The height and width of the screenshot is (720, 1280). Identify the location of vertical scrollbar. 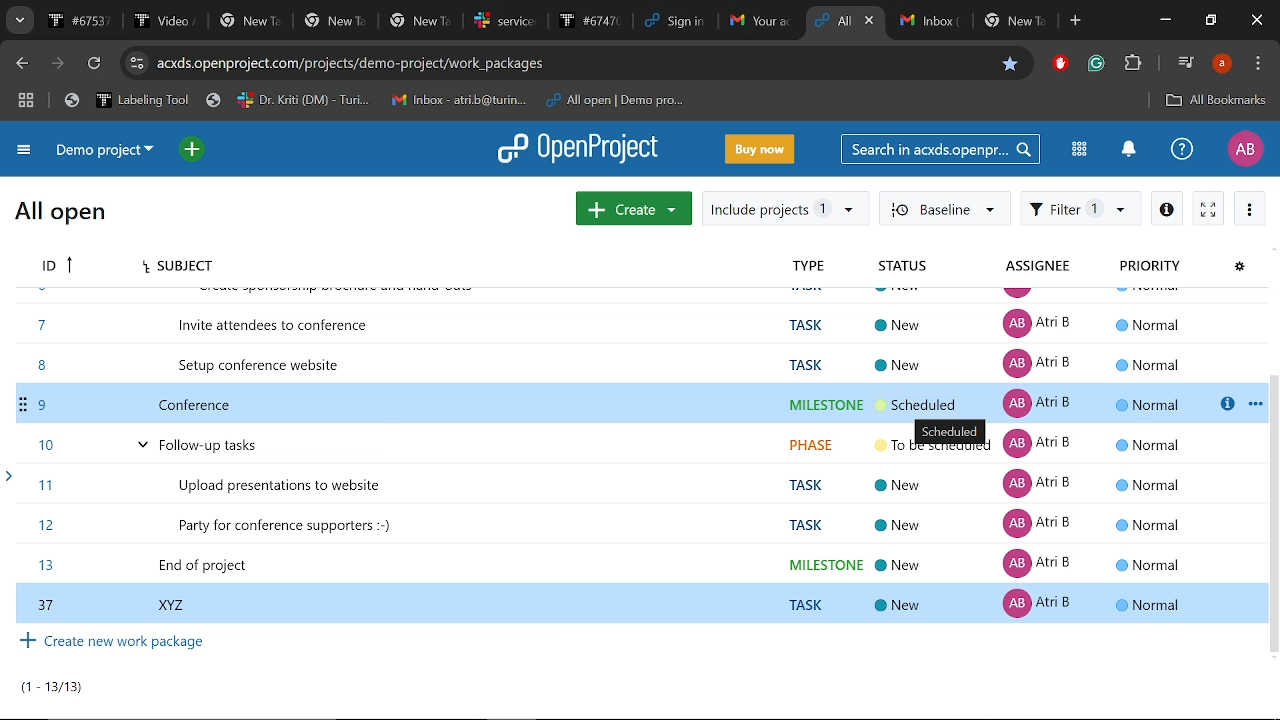
(1272, 513).